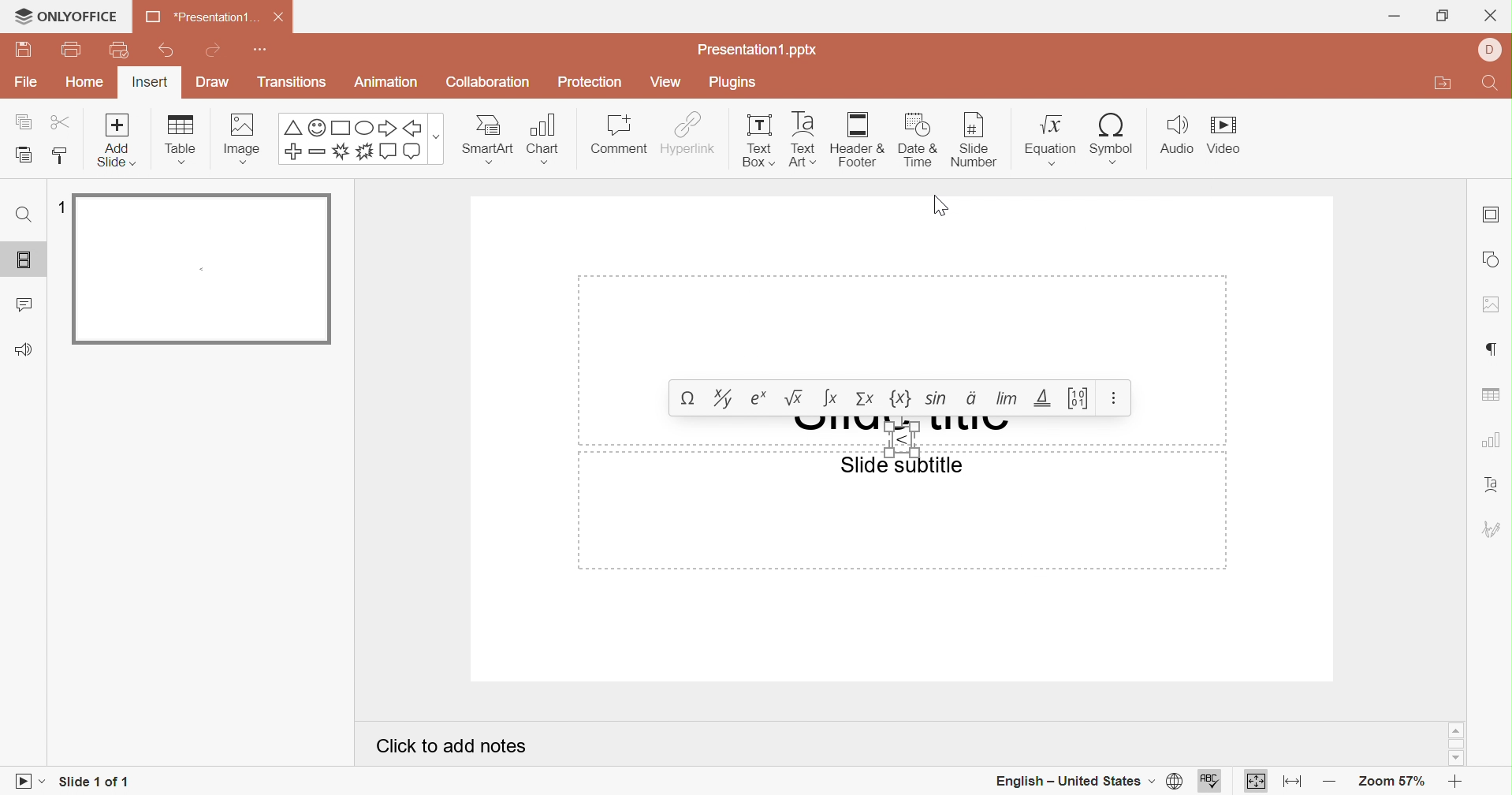  Describe the element at coordinates (390, 85) in the screenshot. I see `Animation` at that location.